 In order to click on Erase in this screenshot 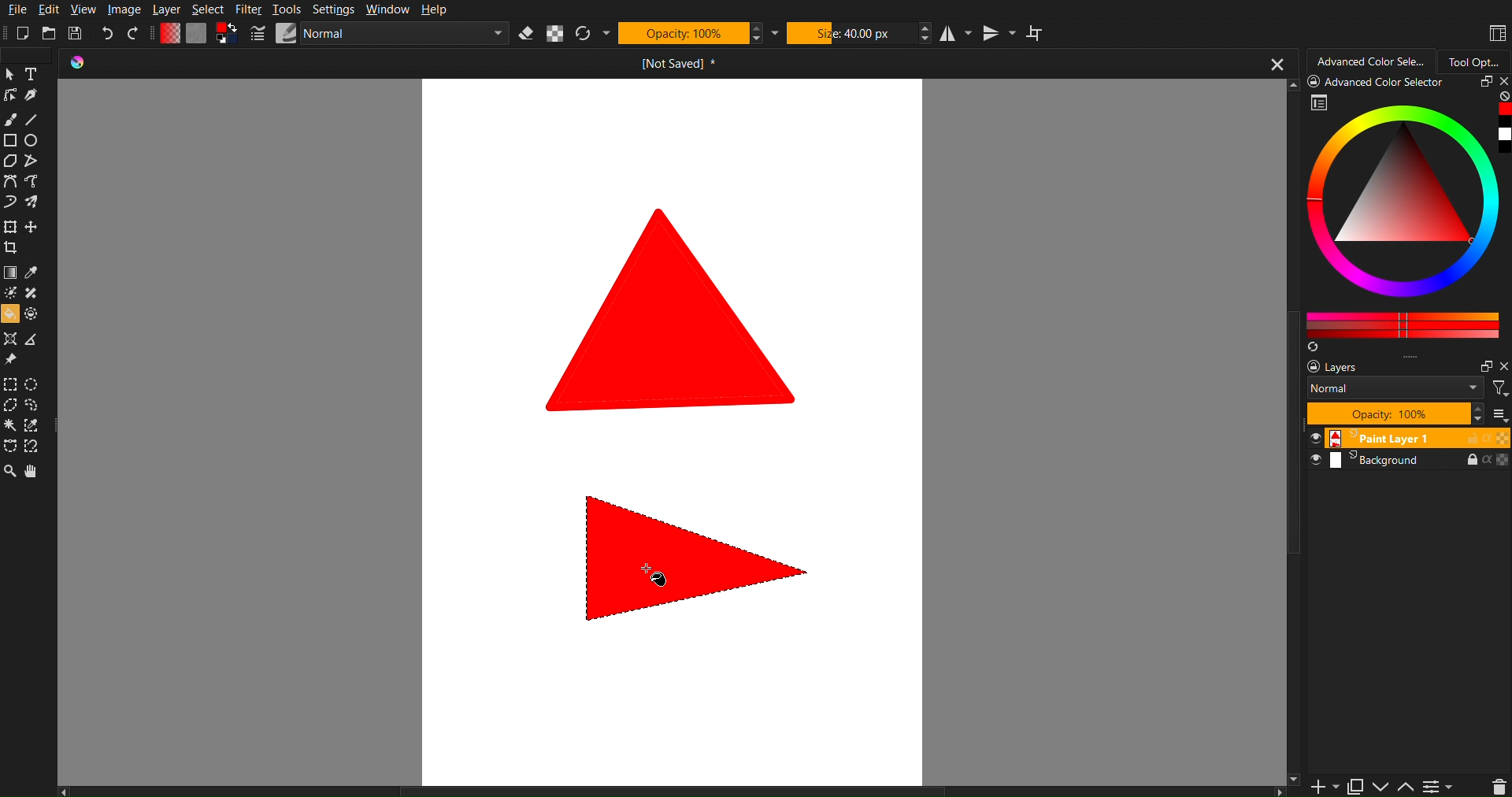, I will do `click(529, 36)`.